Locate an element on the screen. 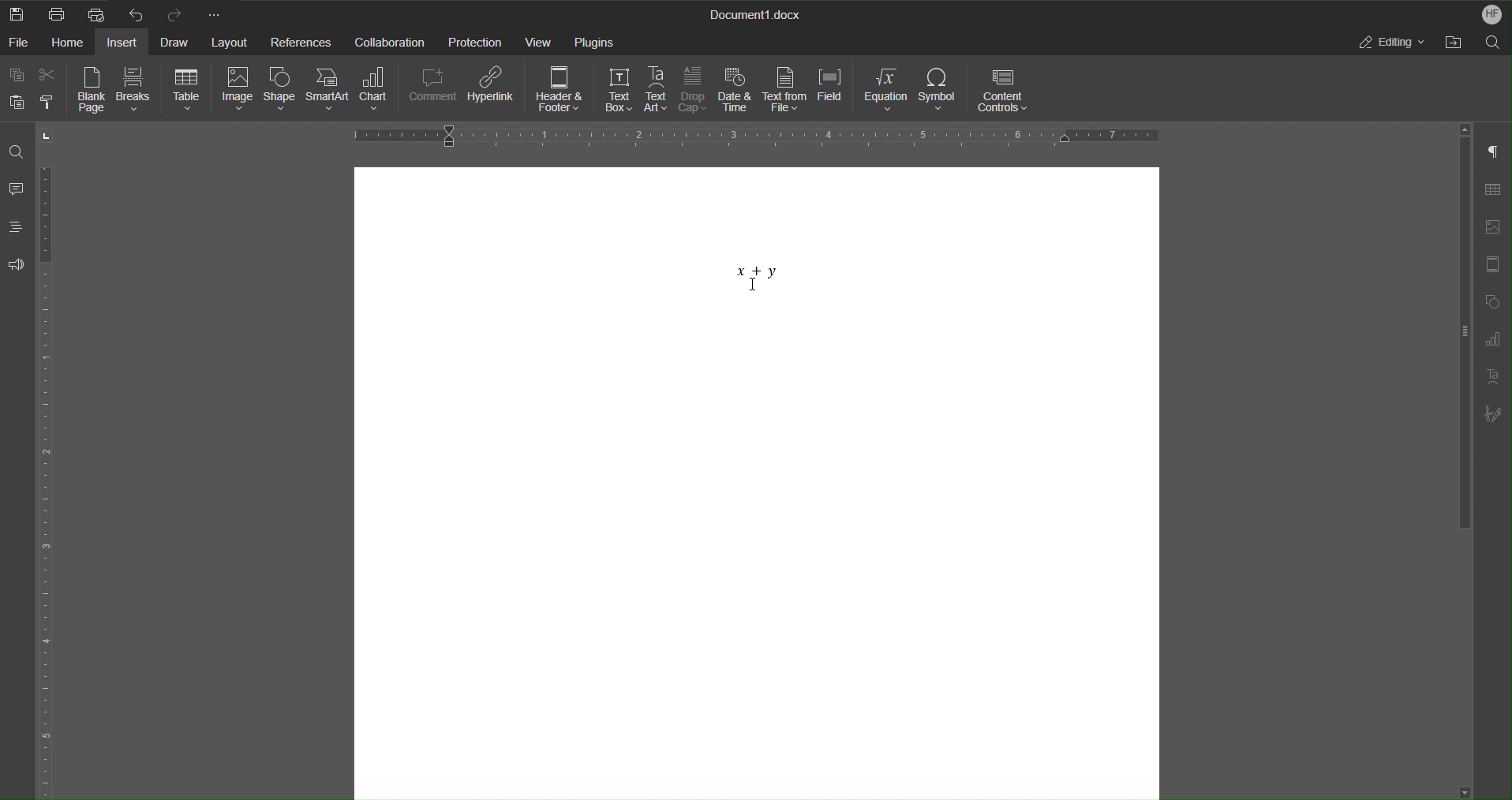 This screenshot has height=800, width=1512. Image is located at coordinates (234, 91).